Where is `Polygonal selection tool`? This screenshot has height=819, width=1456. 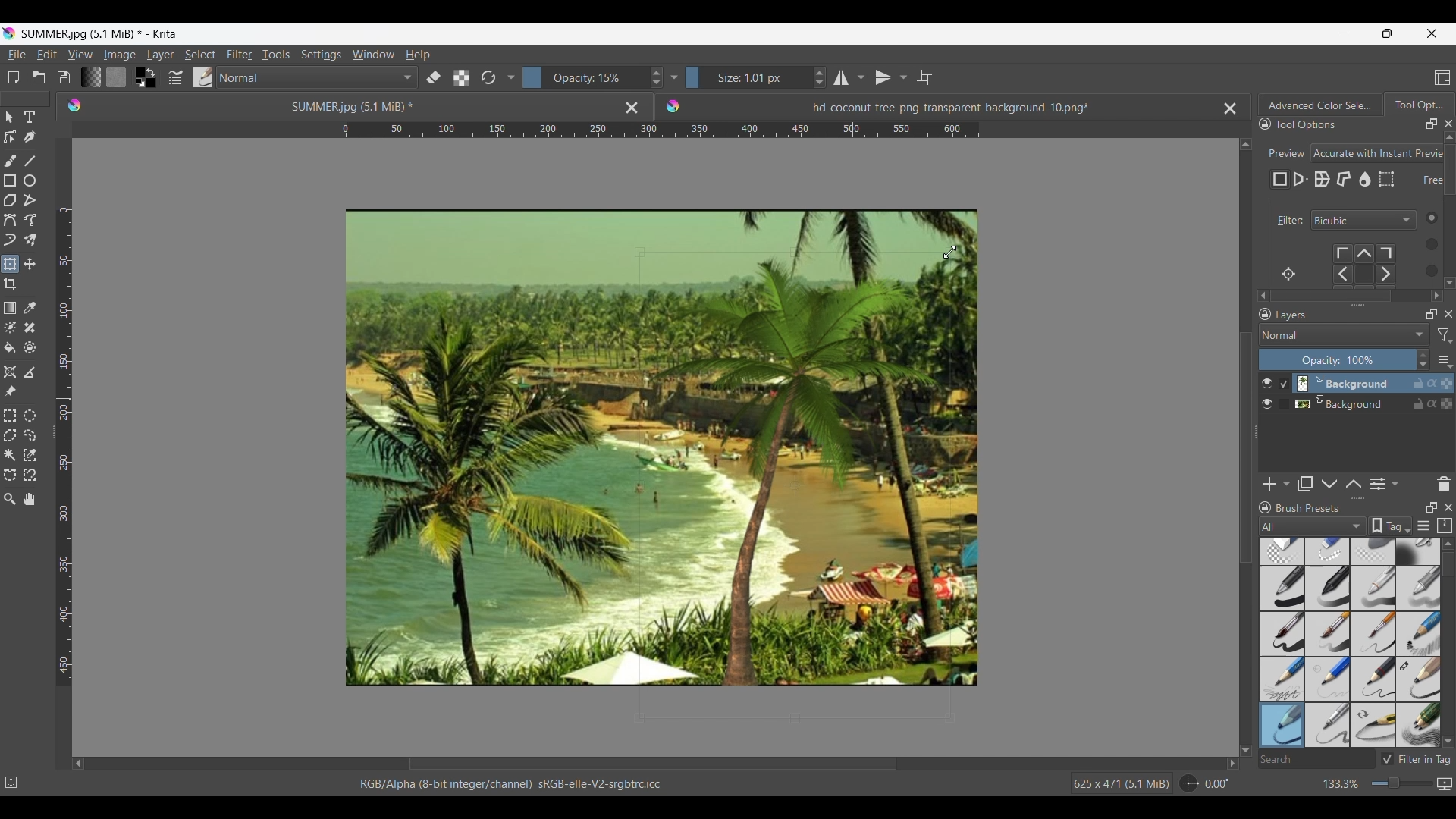 Polygonal selection tool is located at coordinates (10, 435).